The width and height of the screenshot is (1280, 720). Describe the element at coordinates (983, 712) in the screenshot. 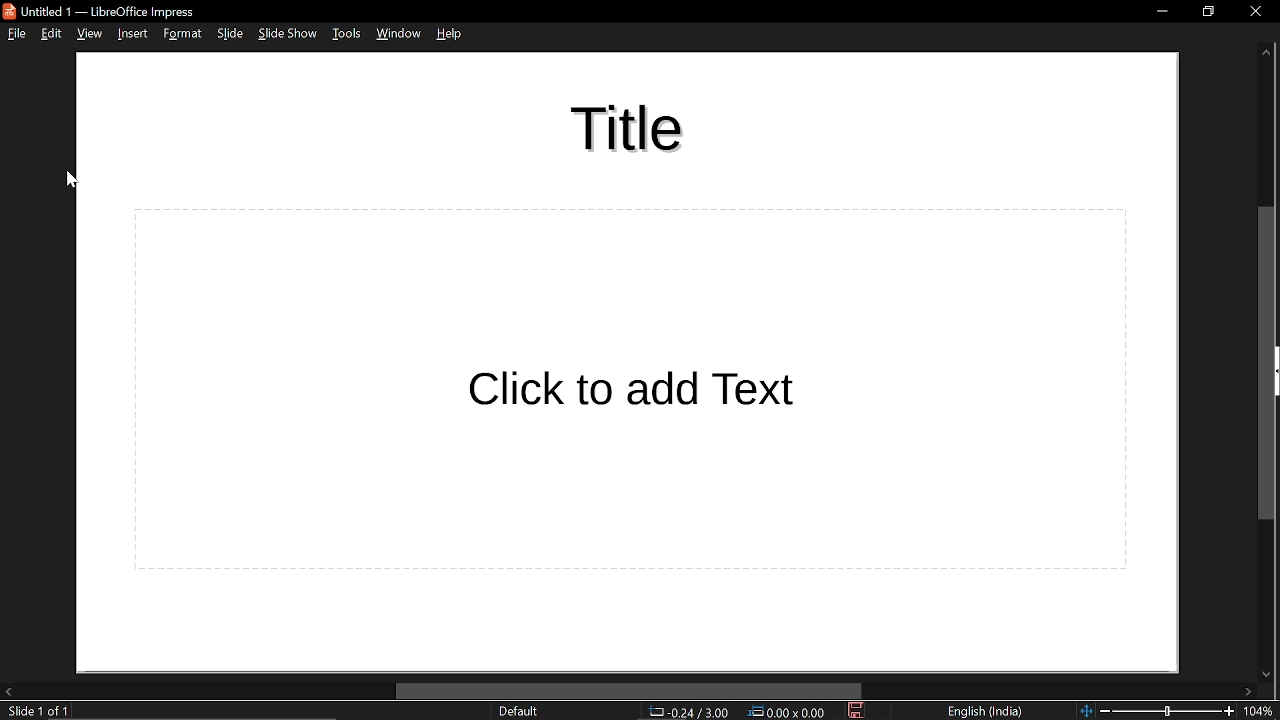

I see `language` at that location.